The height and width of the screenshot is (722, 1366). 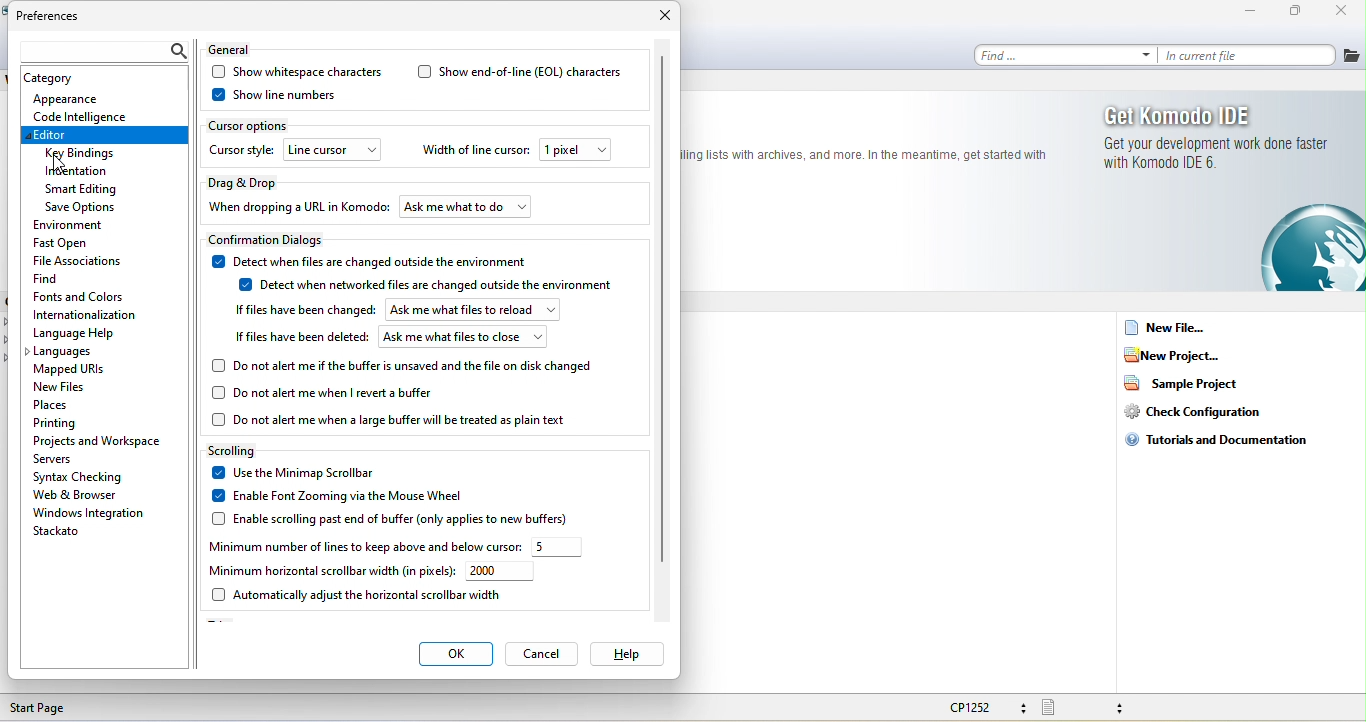 What do you see at coordinates (873, 158) in the screenshot?
I see `when connected to the internet this panel provide link to komodo resources including the community site mailing list with archive and more.` at bounding box center [873, 158].